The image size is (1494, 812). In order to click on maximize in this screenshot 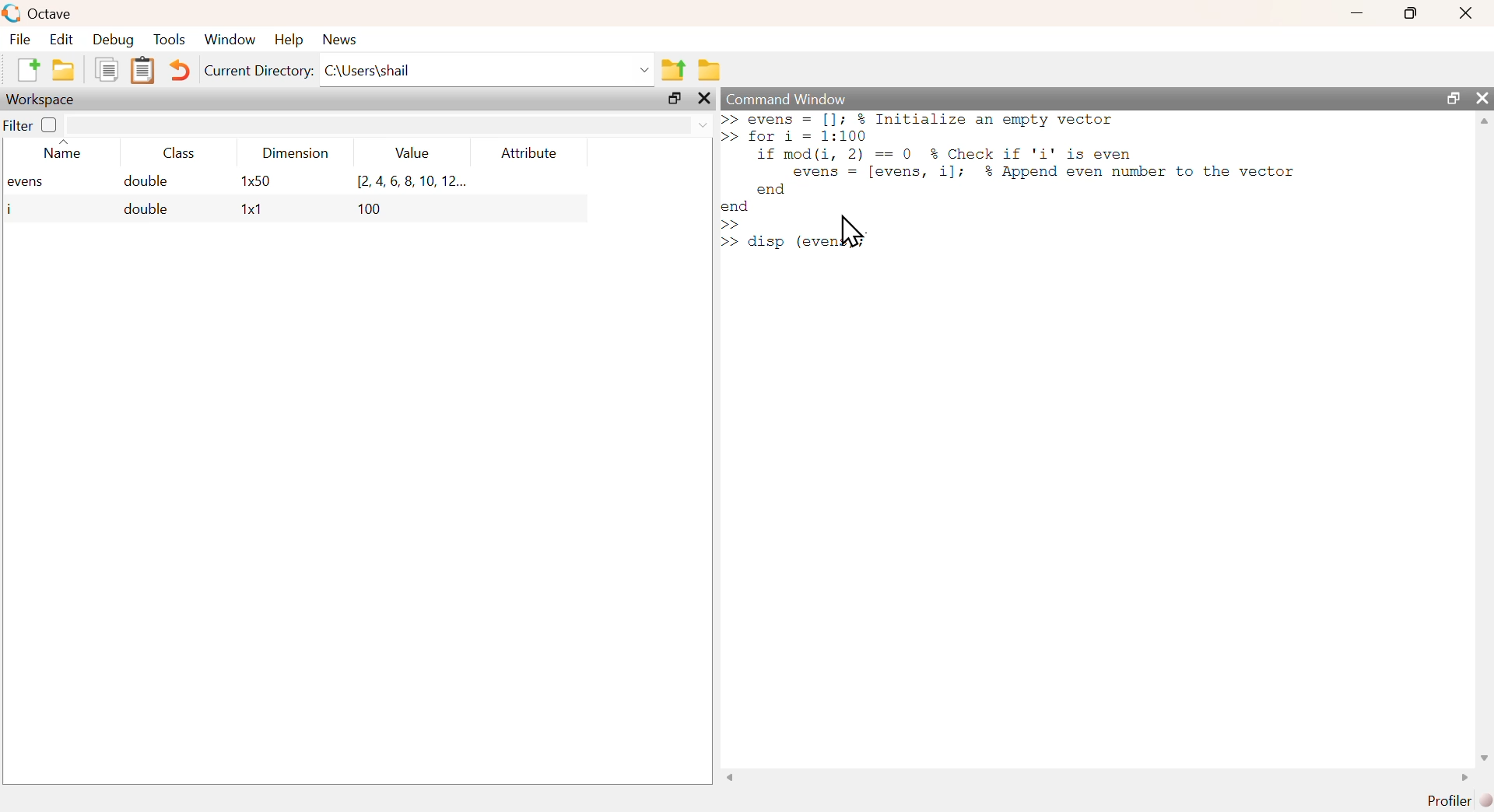, I will do `click(1453, 100)`.